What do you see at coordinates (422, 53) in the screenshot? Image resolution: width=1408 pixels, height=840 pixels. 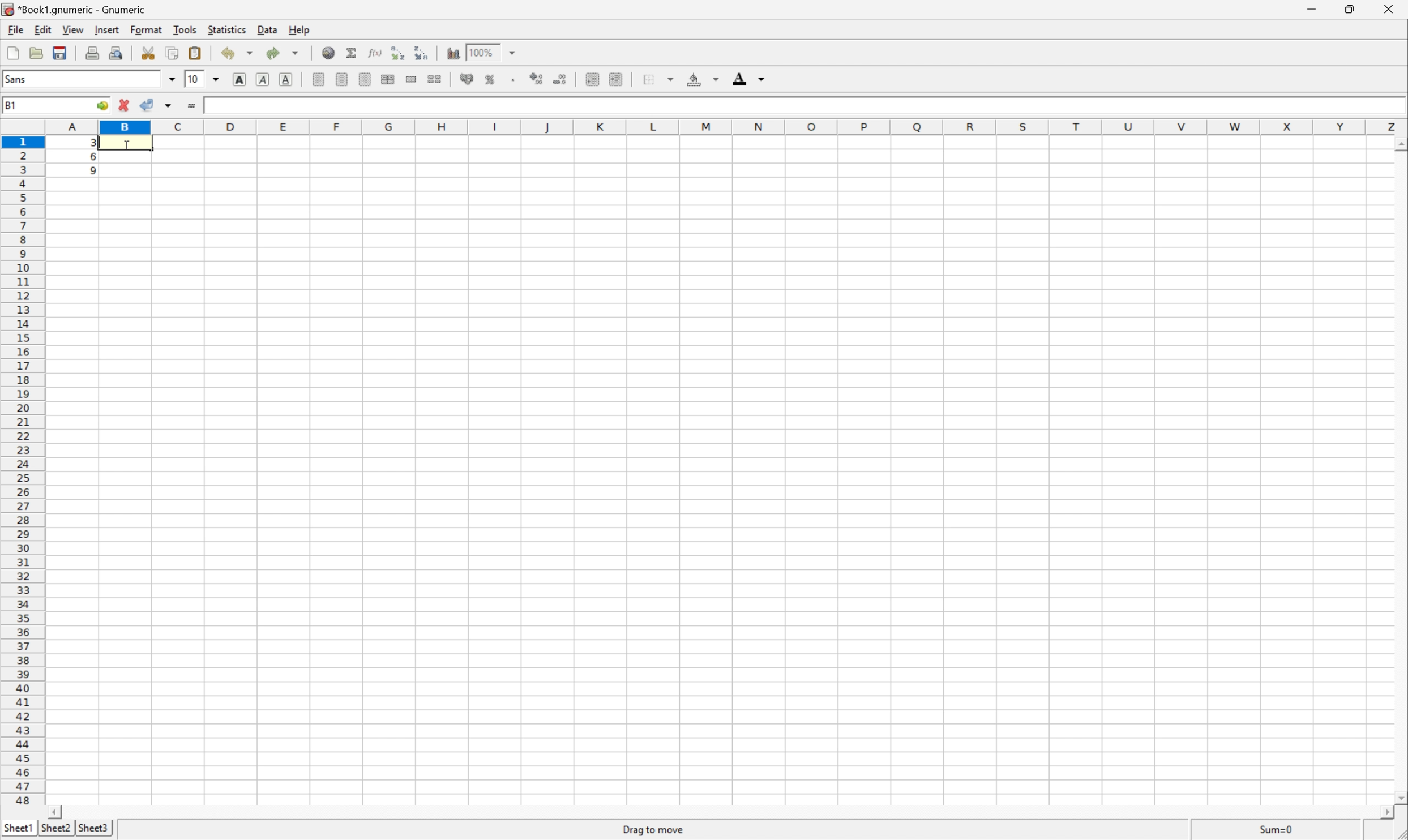 I see `Sort the selected region in descending order based on the first column selected` at bounding box center [422, 53].